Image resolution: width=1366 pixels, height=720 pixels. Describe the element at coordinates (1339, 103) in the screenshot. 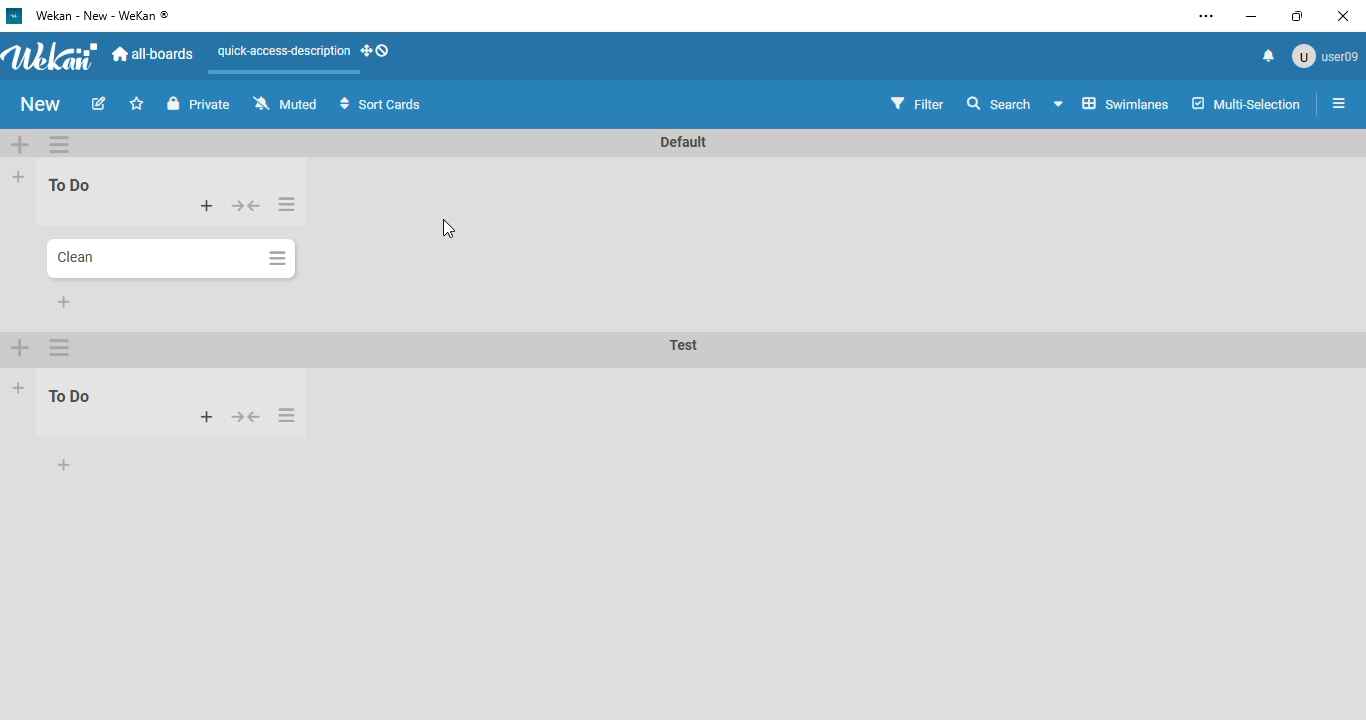

I see `open sidebar or close sidebar` at that location.